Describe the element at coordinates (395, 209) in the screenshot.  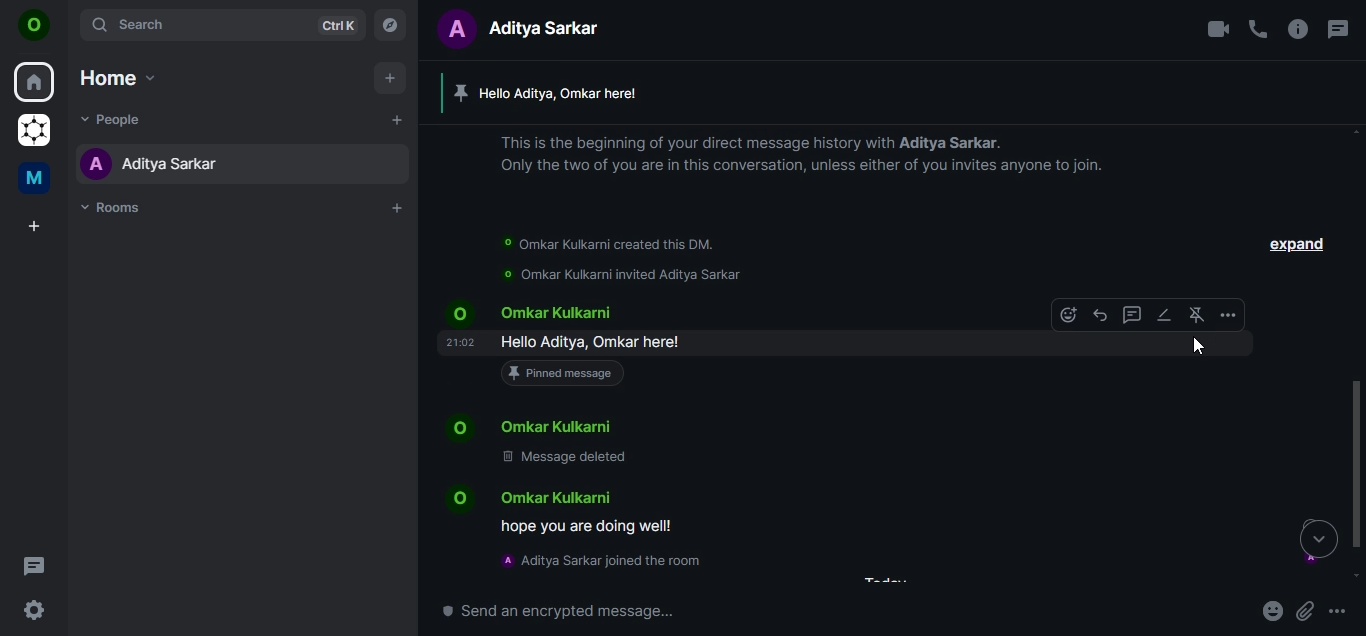
I see `add rooms` at that location.